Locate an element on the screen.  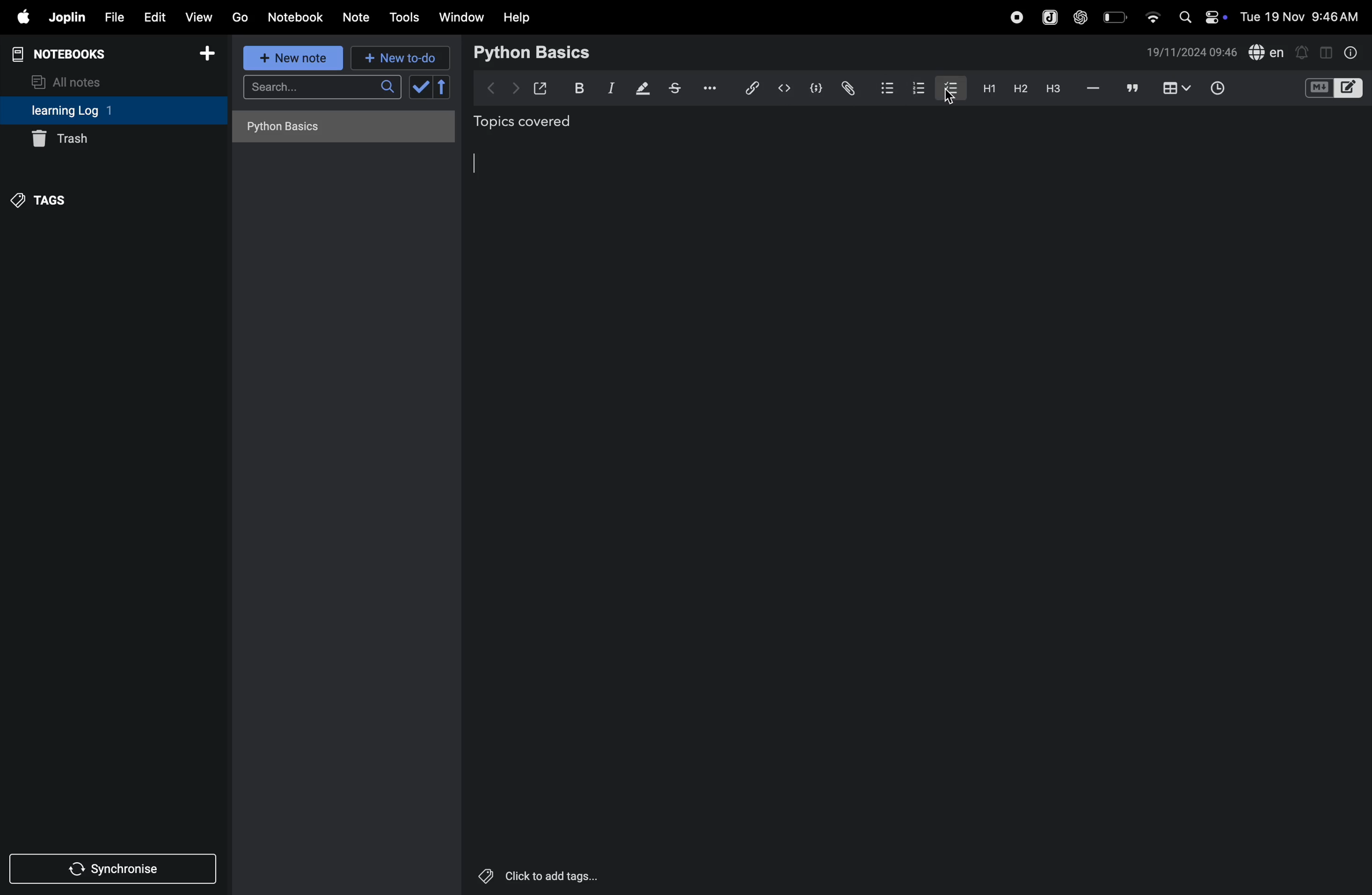
learning log is located at coordinates (88, 111).